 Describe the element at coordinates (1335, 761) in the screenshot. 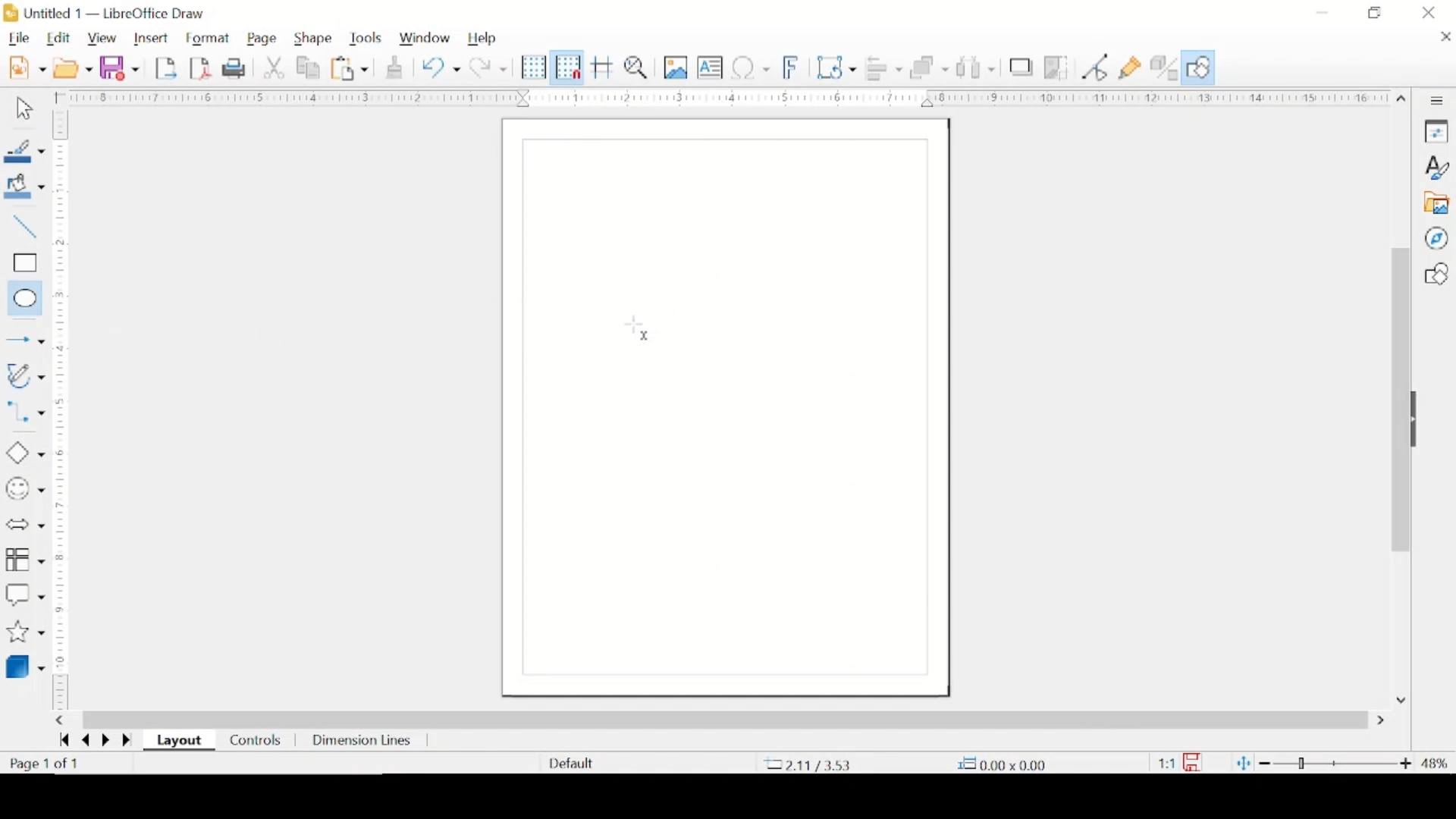

I see `zoom slider` at that location.